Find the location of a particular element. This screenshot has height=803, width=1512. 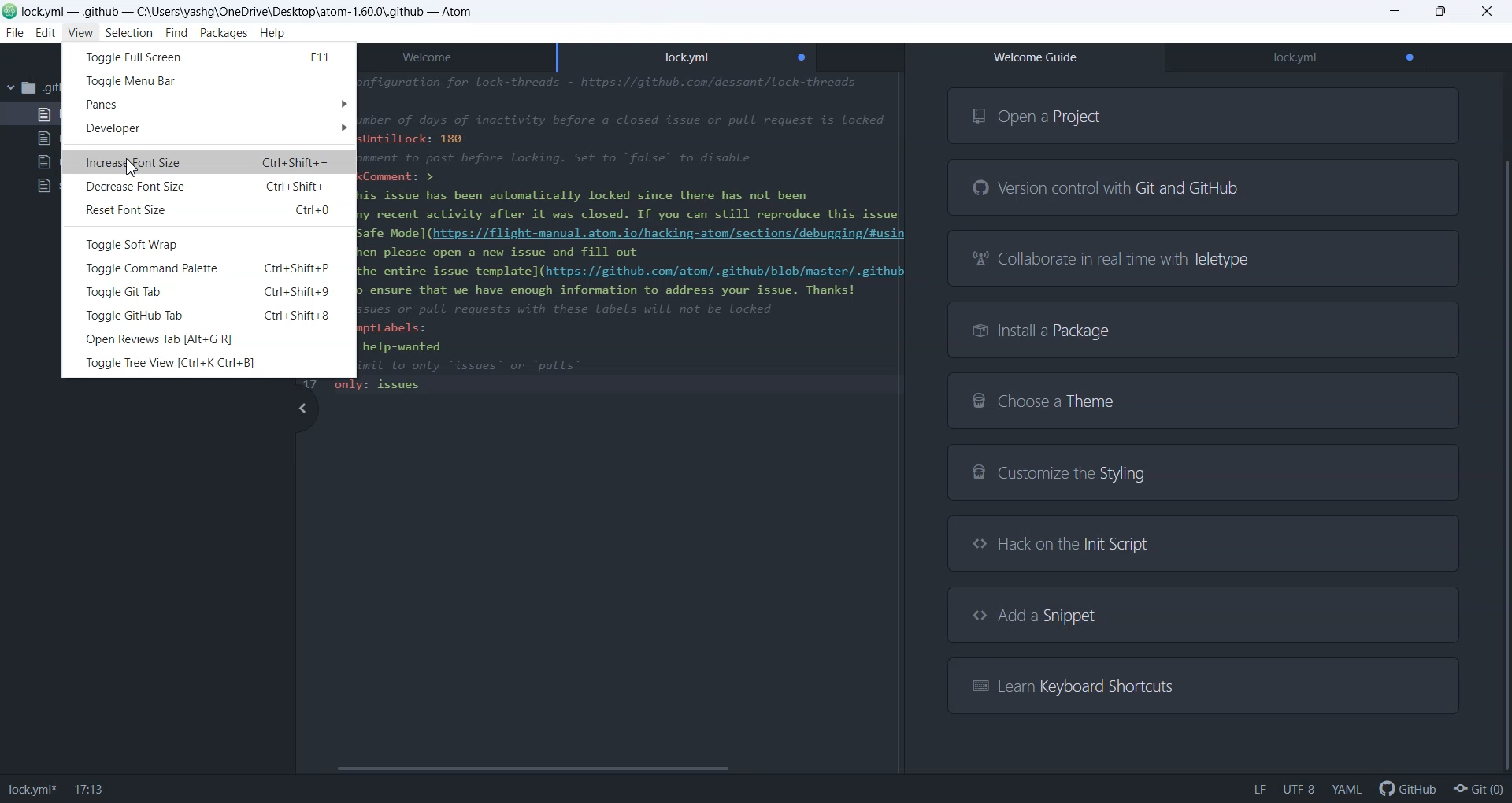

Lock.yml  is located at coordinates (687, 54).